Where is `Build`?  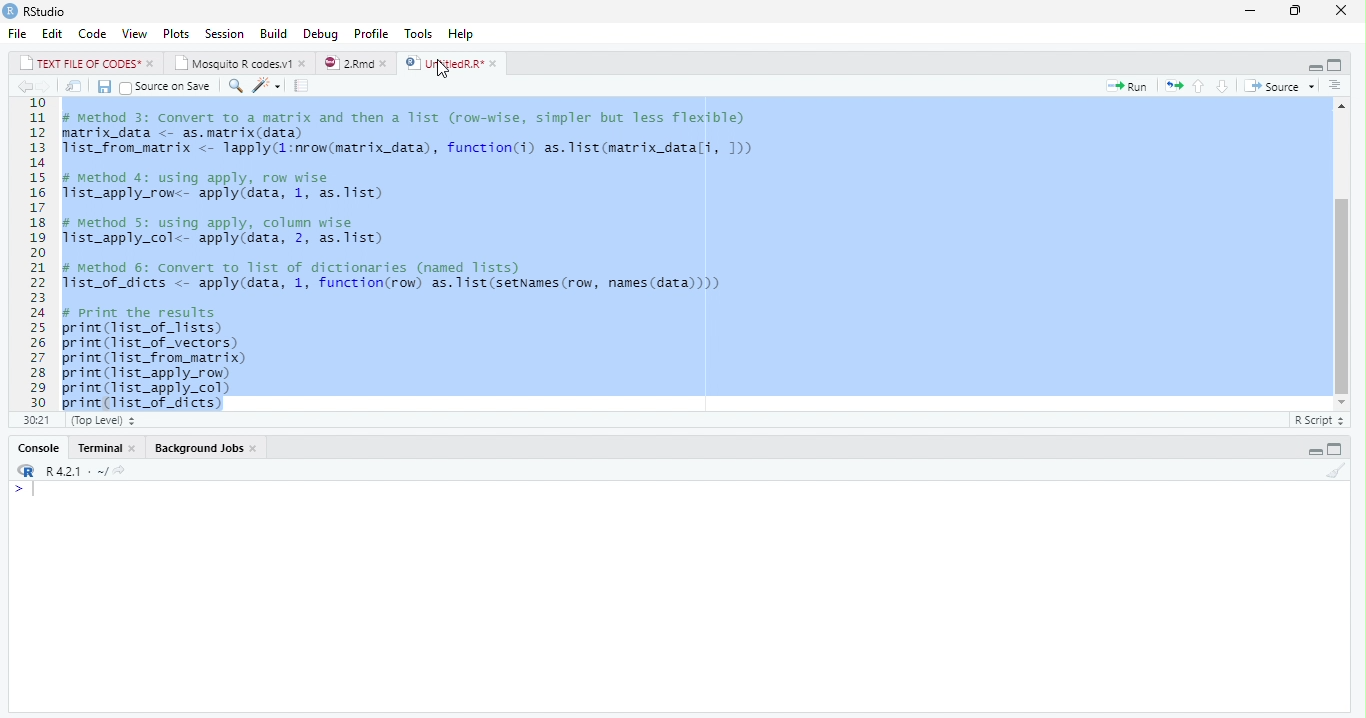
Build is located at coordinates (272, 33).